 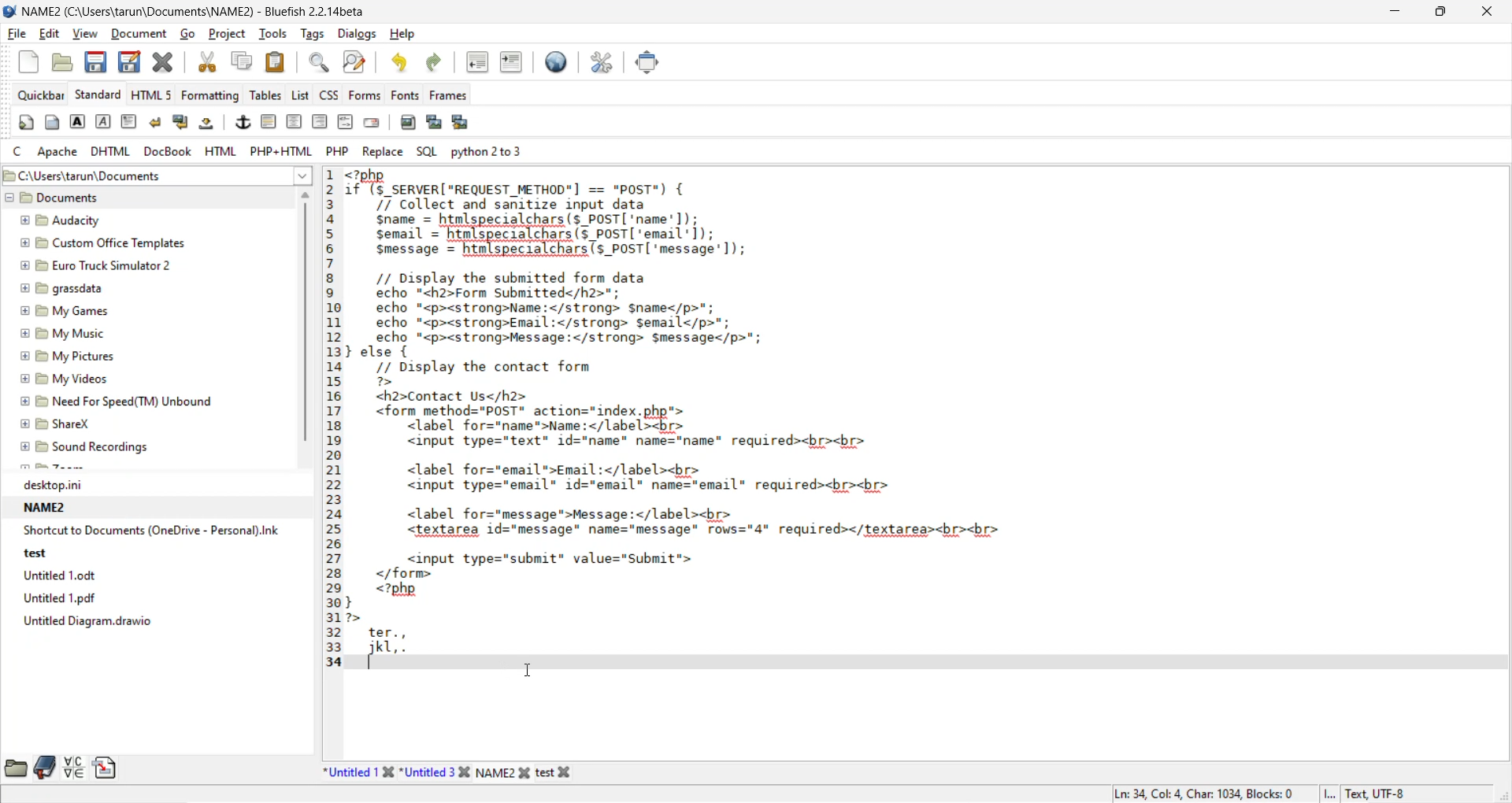 I want to click on project, so click(x=227, y=36).